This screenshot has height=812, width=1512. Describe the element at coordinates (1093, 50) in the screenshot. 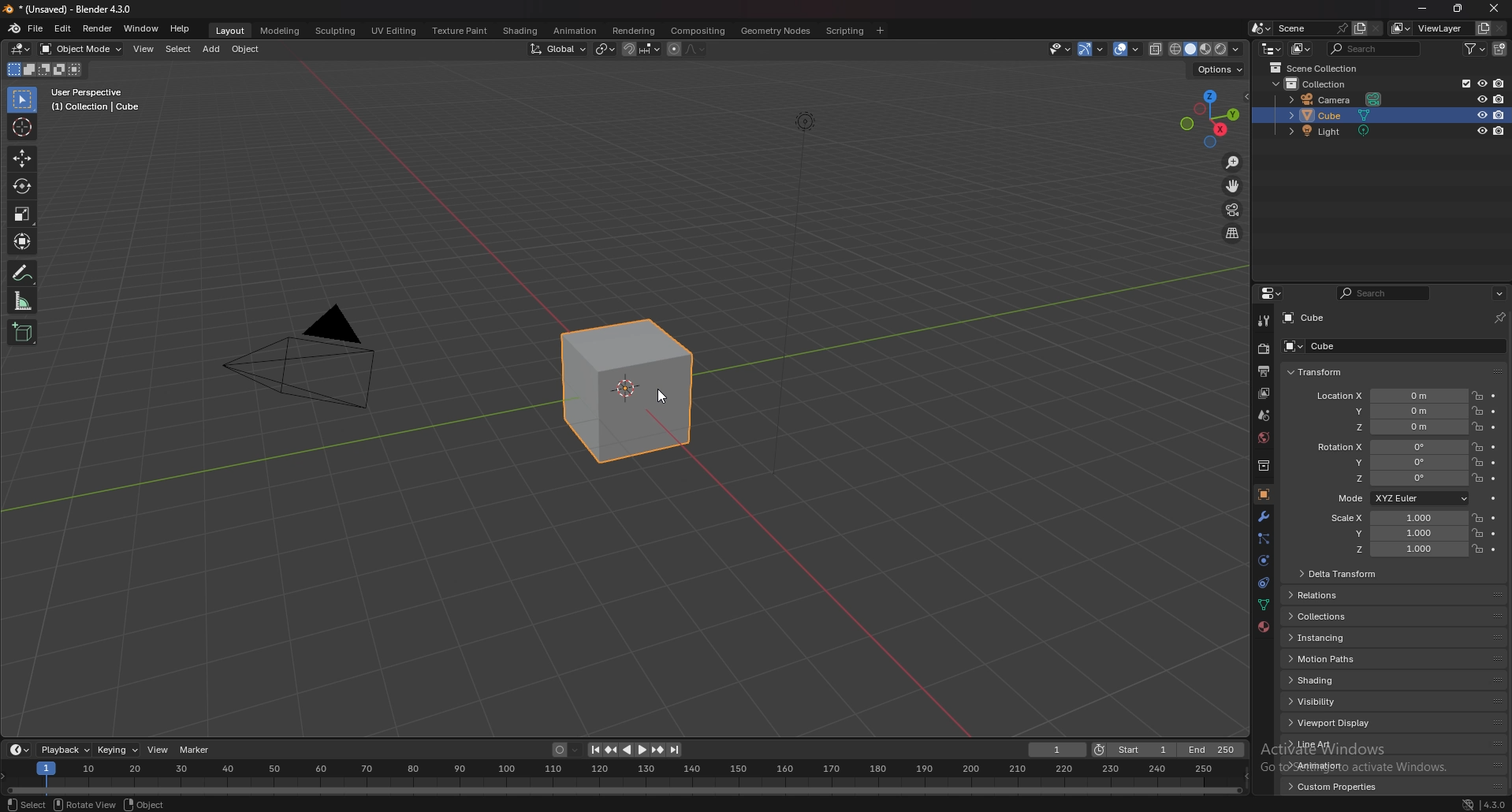

I see `show gizmo` at that location.